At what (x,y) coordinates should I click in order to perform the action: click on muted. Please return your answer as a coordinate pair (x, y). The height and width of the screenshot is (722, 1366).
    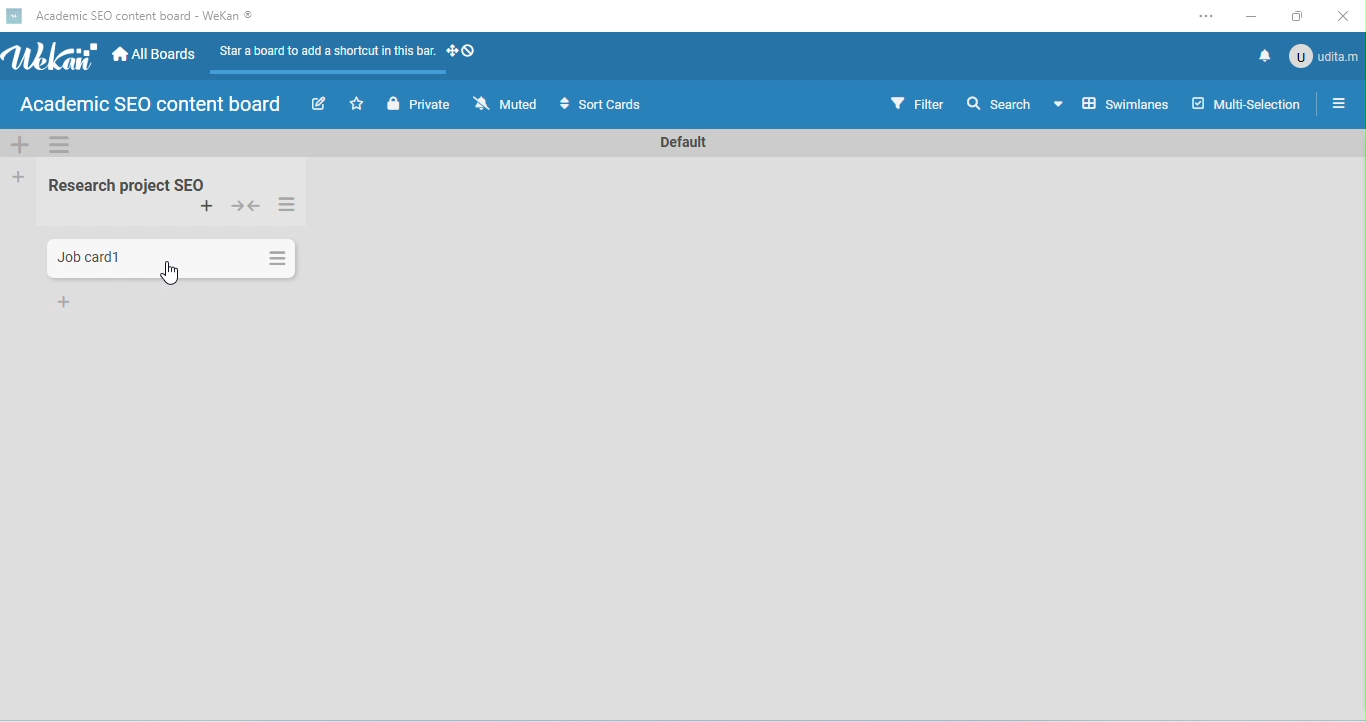
    Looking at the image, I should click on (507, 104).